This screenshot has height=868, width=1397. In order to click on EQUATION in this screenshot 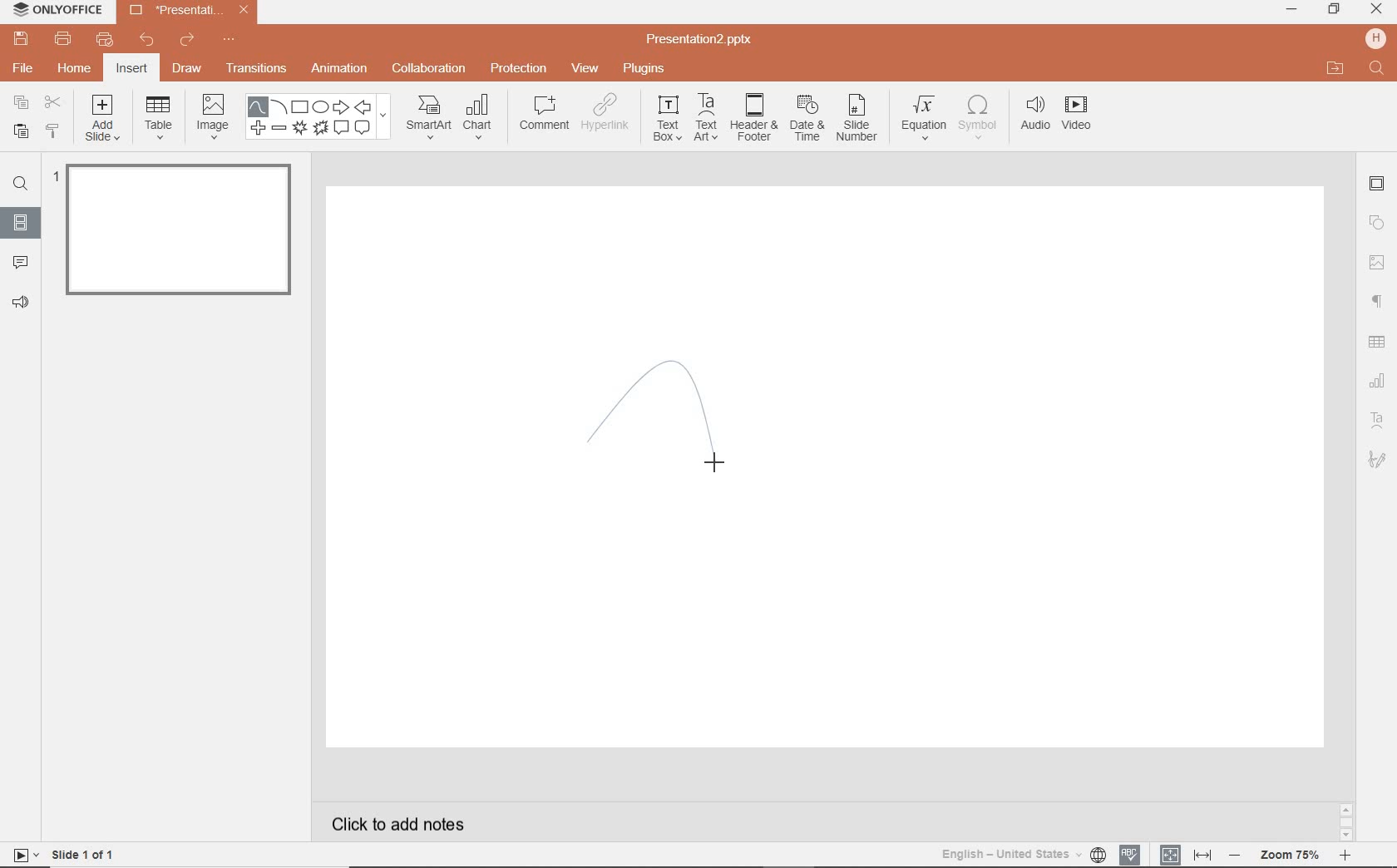, I will do `click(924, 116)`.